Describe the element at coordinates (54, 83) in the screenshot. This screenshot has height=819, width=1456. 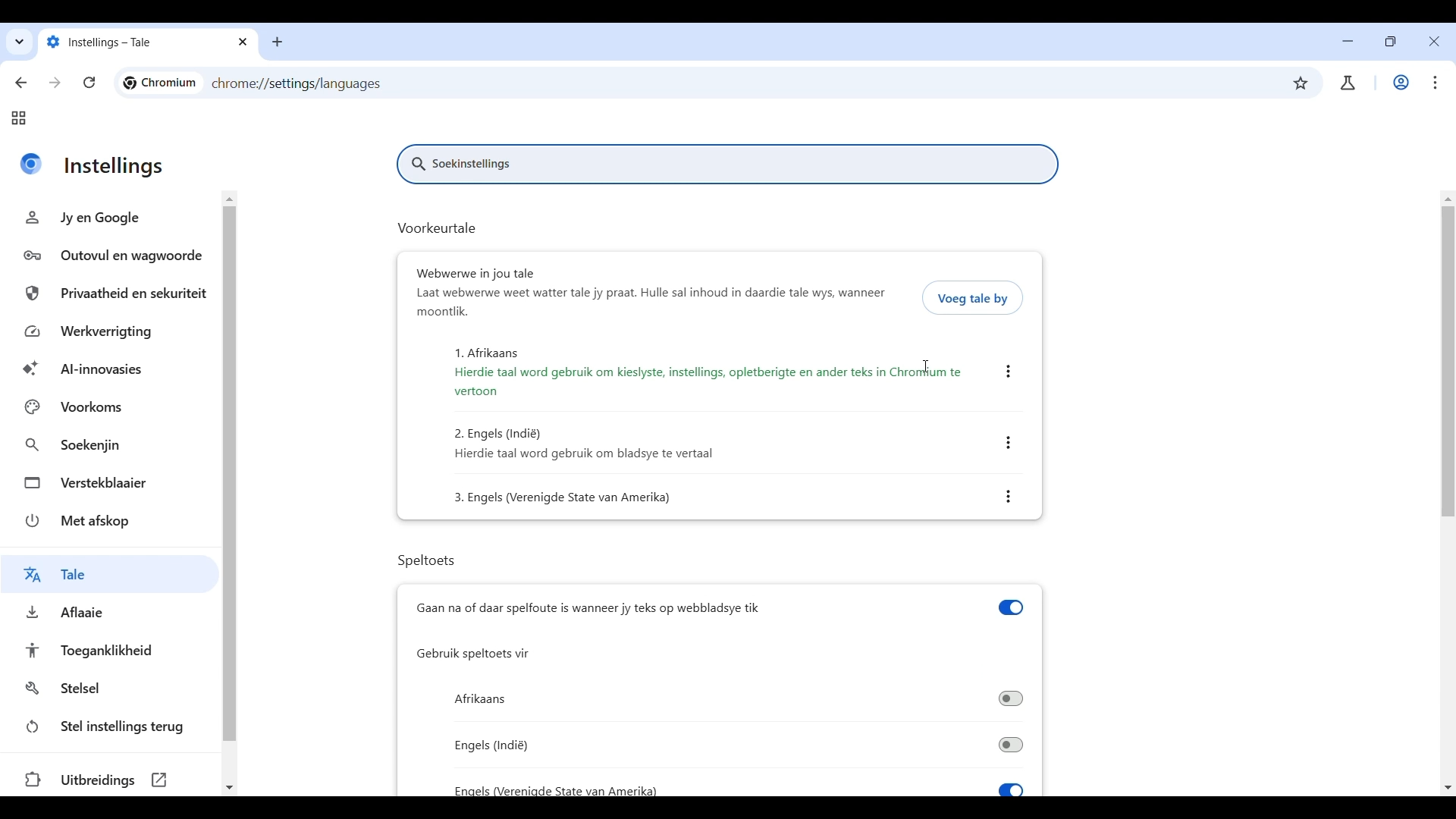
I see `Go forward` at that location.